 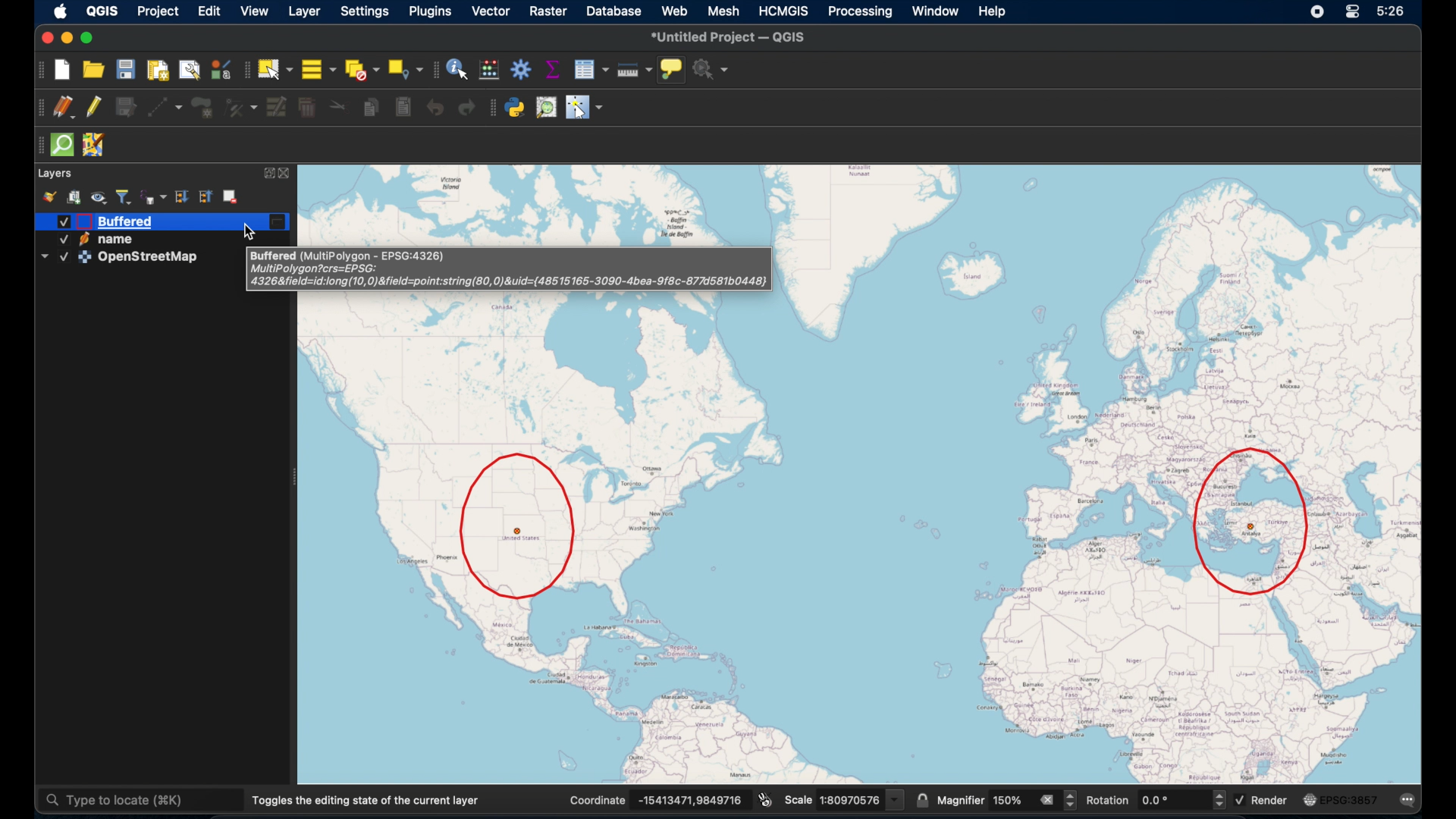 What do you see at coordinates (89, 39) in the screenshot?
I see `maximize` at bounding box center [89, 39].